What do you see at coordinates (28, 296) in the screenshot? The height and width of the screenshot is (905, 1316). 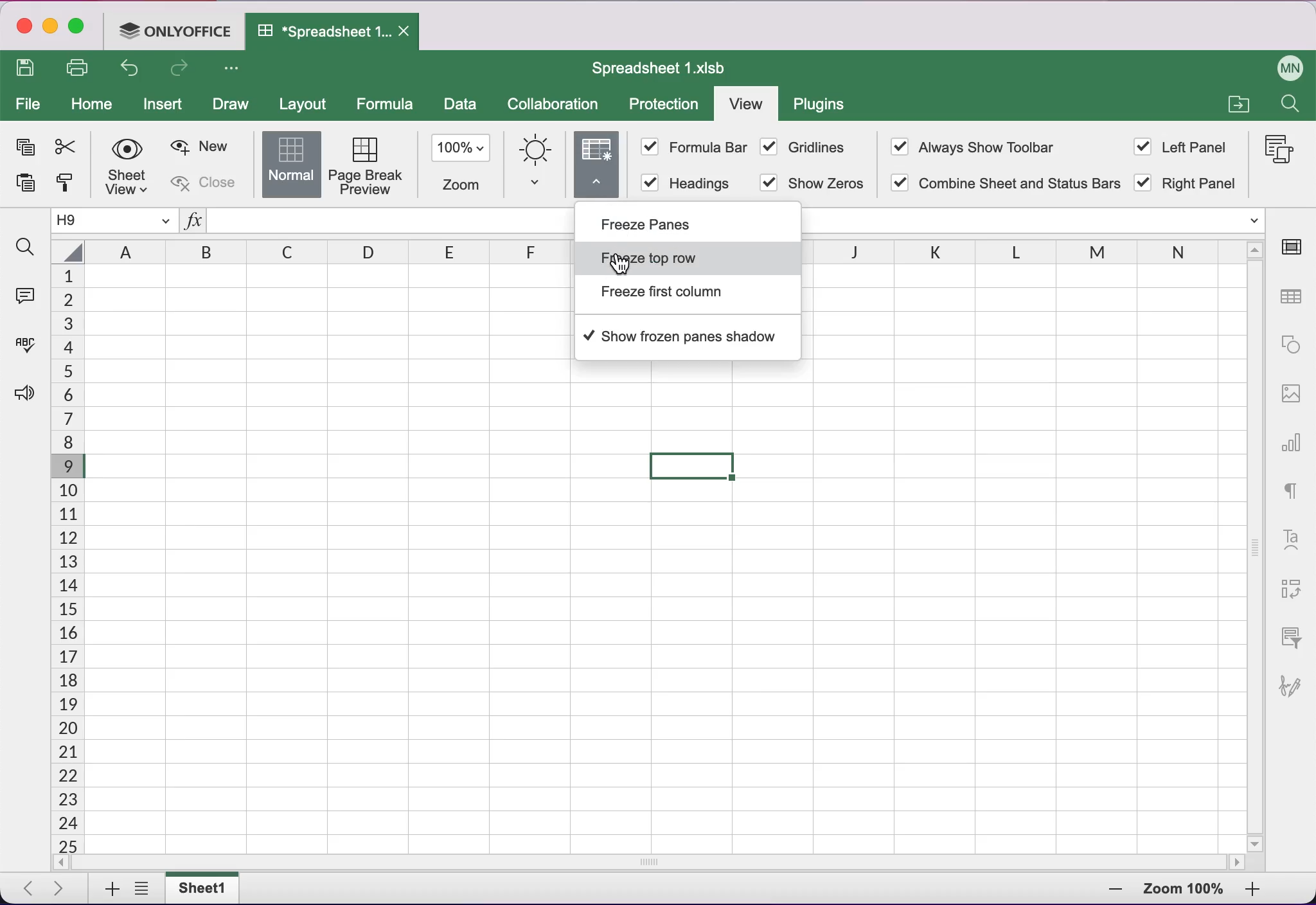 I see `comments` at bounding box center [28, 296].